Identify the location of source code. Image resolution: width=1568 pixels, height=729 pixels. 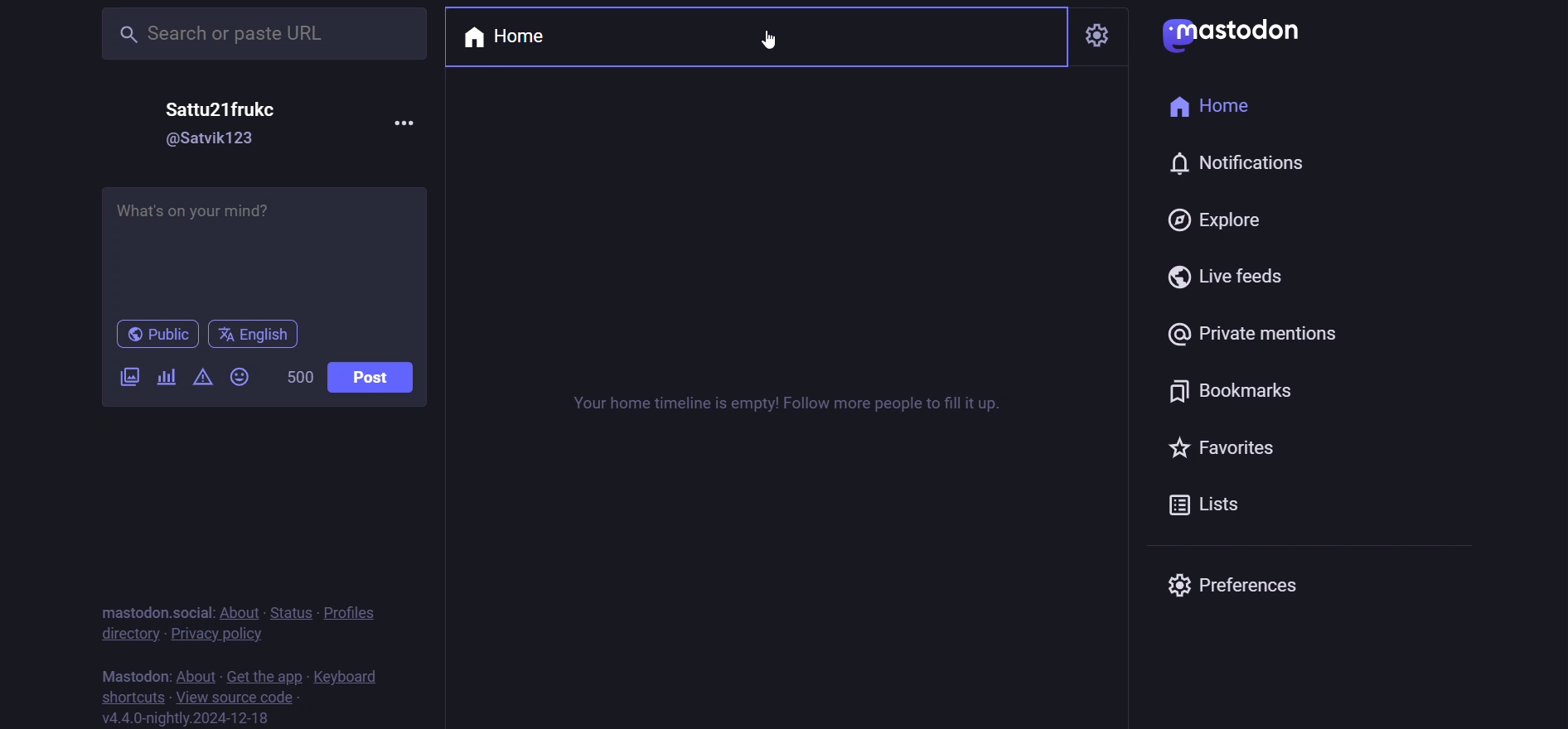
(241, 698).